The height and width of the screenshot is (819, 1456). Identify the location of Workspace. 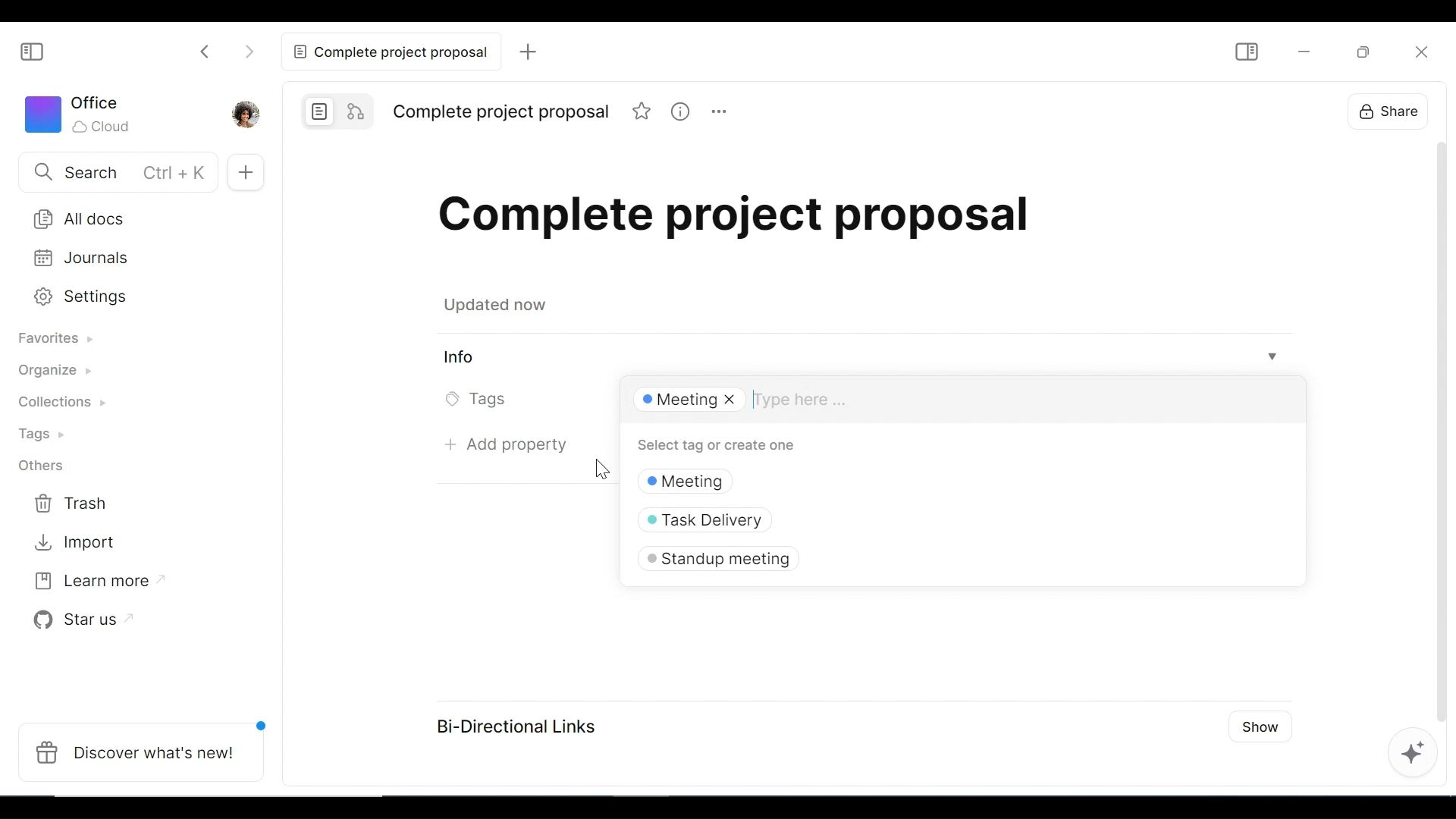
(83, 115).